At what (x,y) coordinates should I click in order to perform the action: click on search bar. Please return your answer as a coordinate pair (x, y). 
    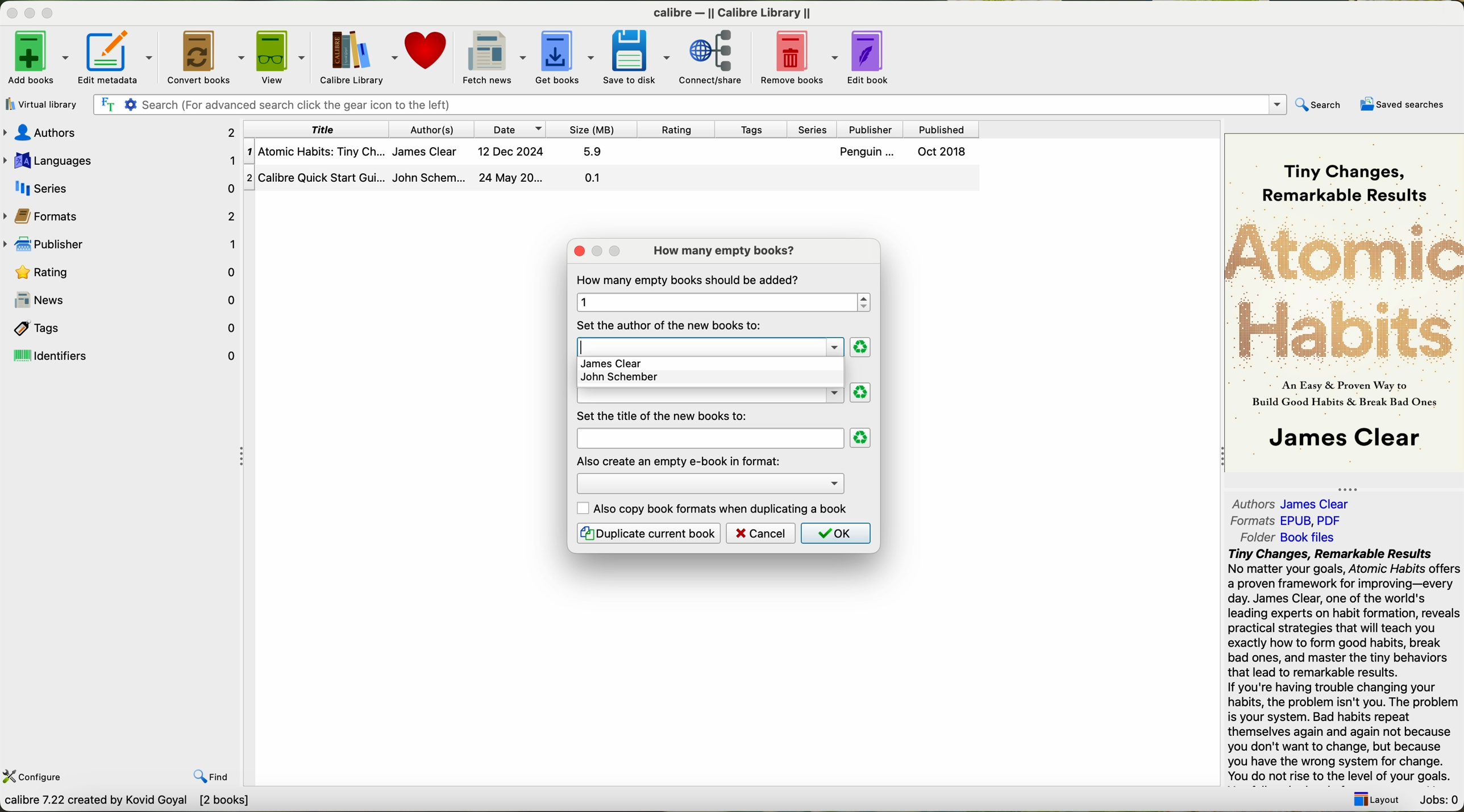
    Looking at the image, I should click on (693, 105).